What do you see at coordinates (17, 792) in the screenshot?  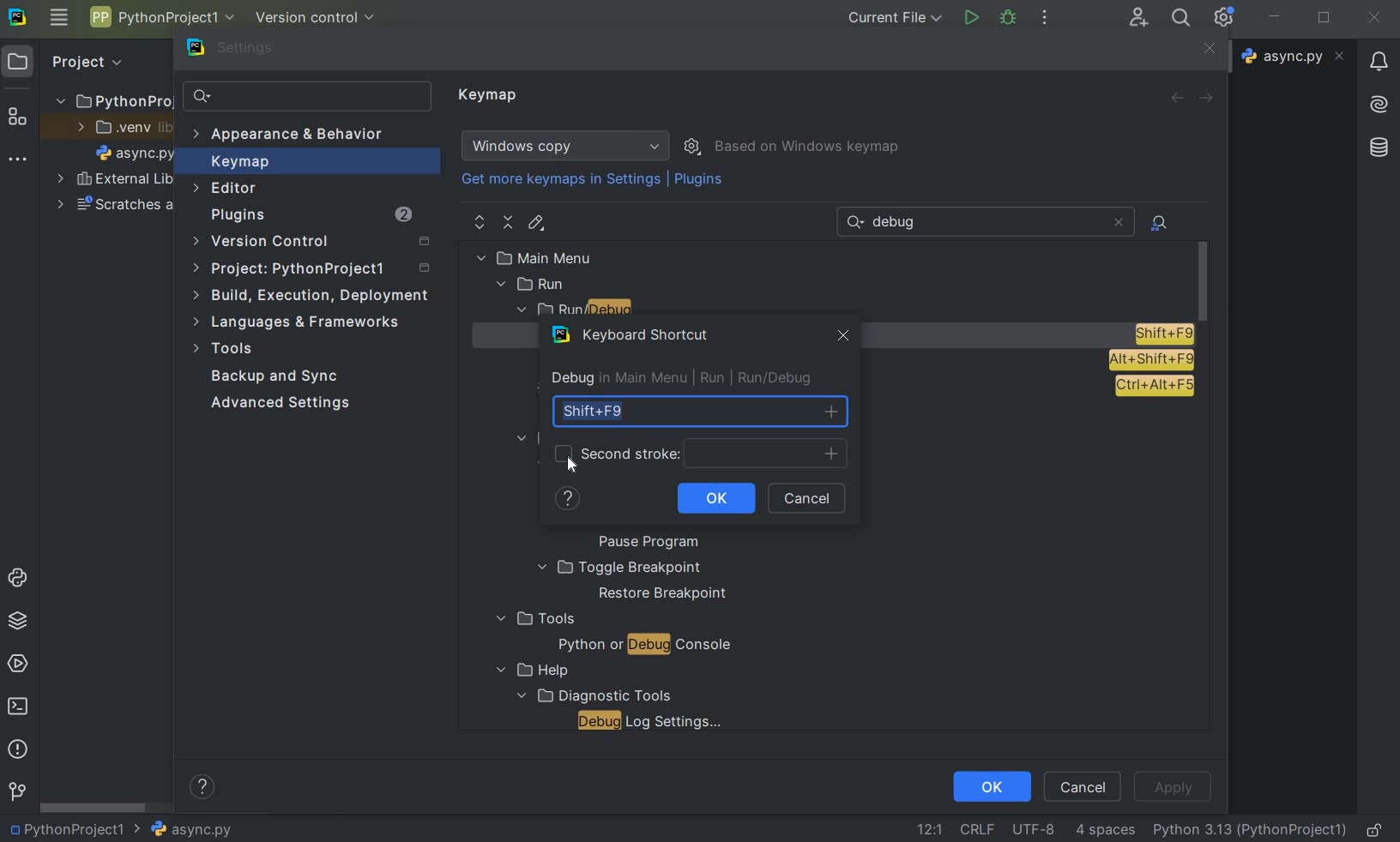 I see `version control` at bounding box center [17, 792].